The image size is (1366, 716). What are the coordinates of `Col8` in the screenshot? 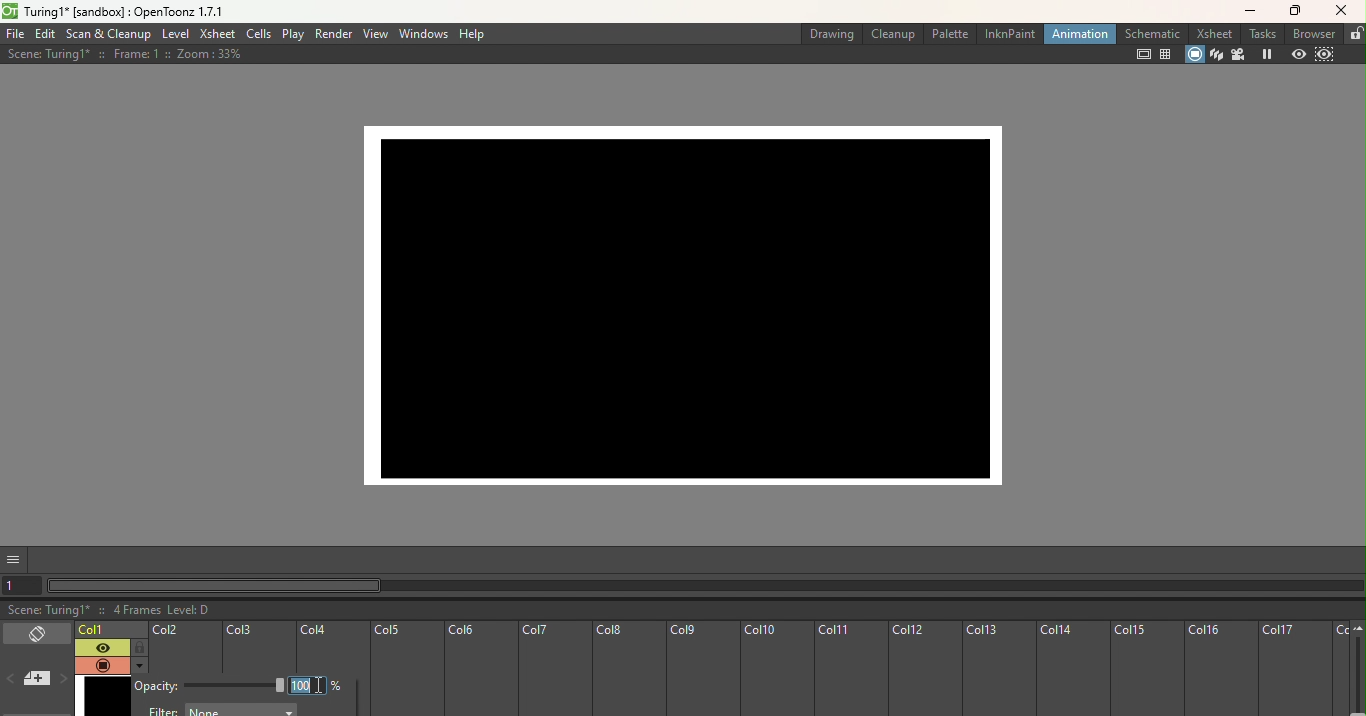 It's located at (627, 669).